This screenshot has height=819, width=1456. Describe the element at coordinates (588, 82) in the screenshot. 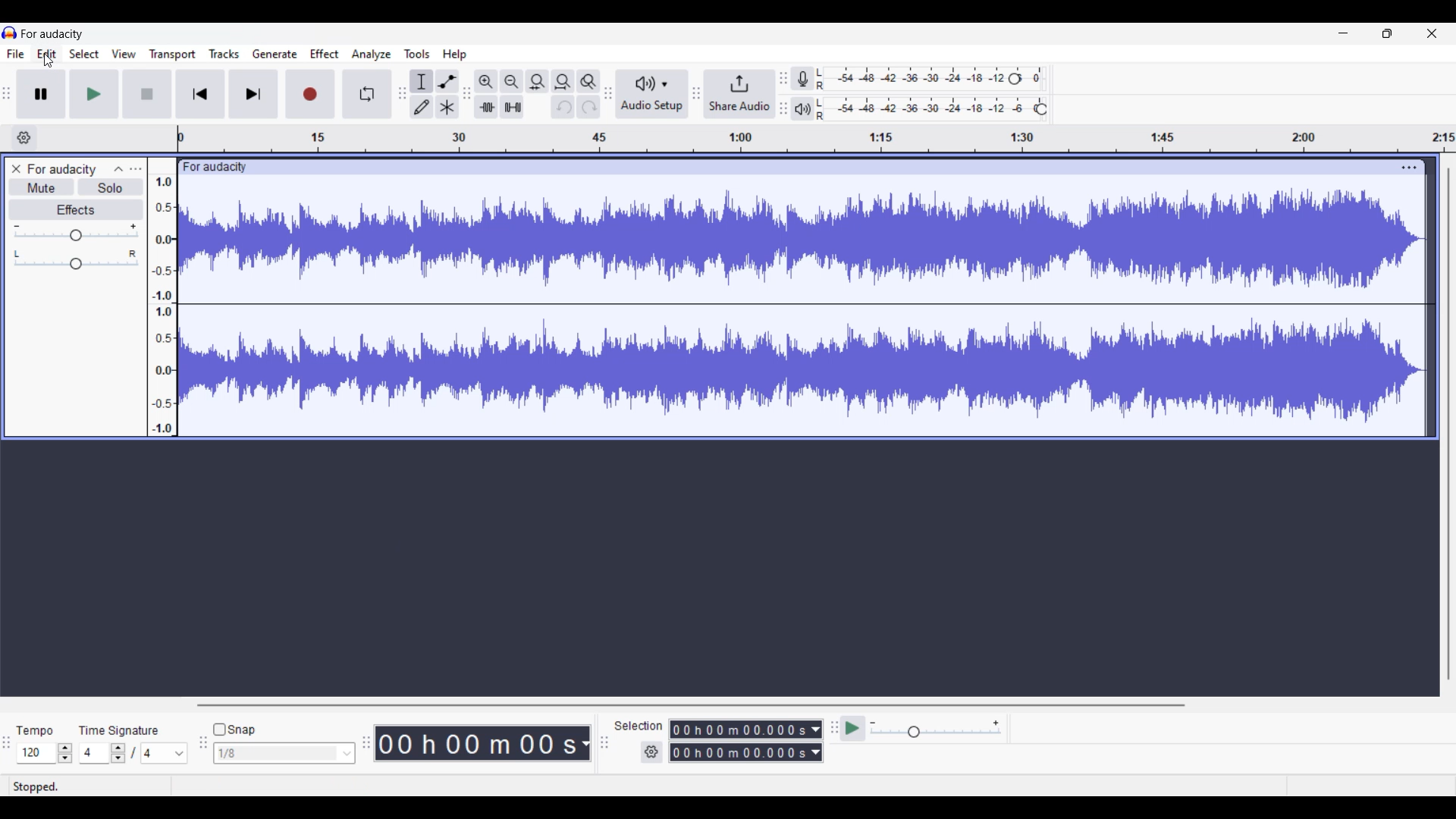

I see `Zoom toggle` at that location.